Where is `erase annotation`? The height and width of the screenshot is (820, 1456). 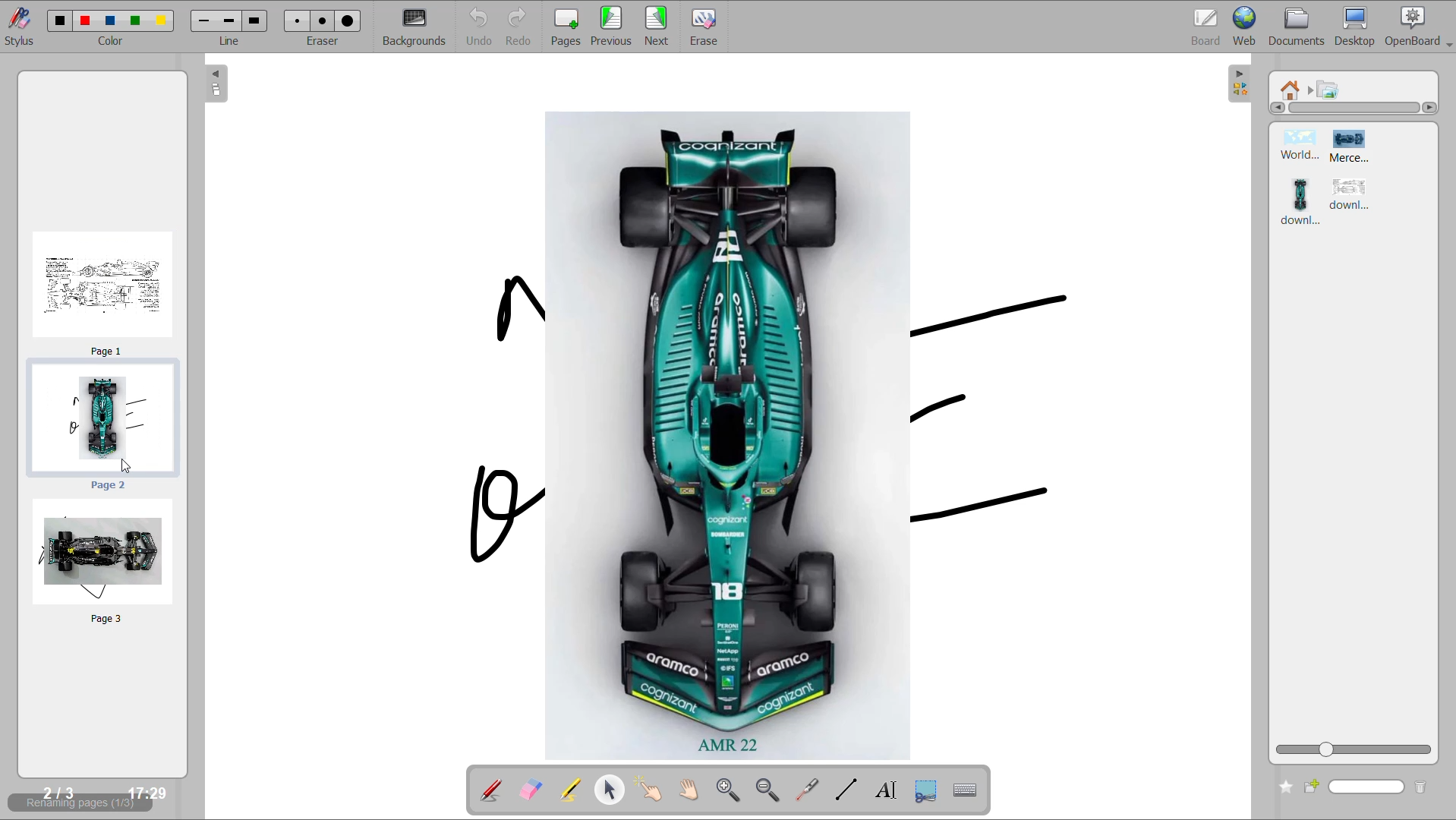 erase annotation is located at coordinates (531, 791).